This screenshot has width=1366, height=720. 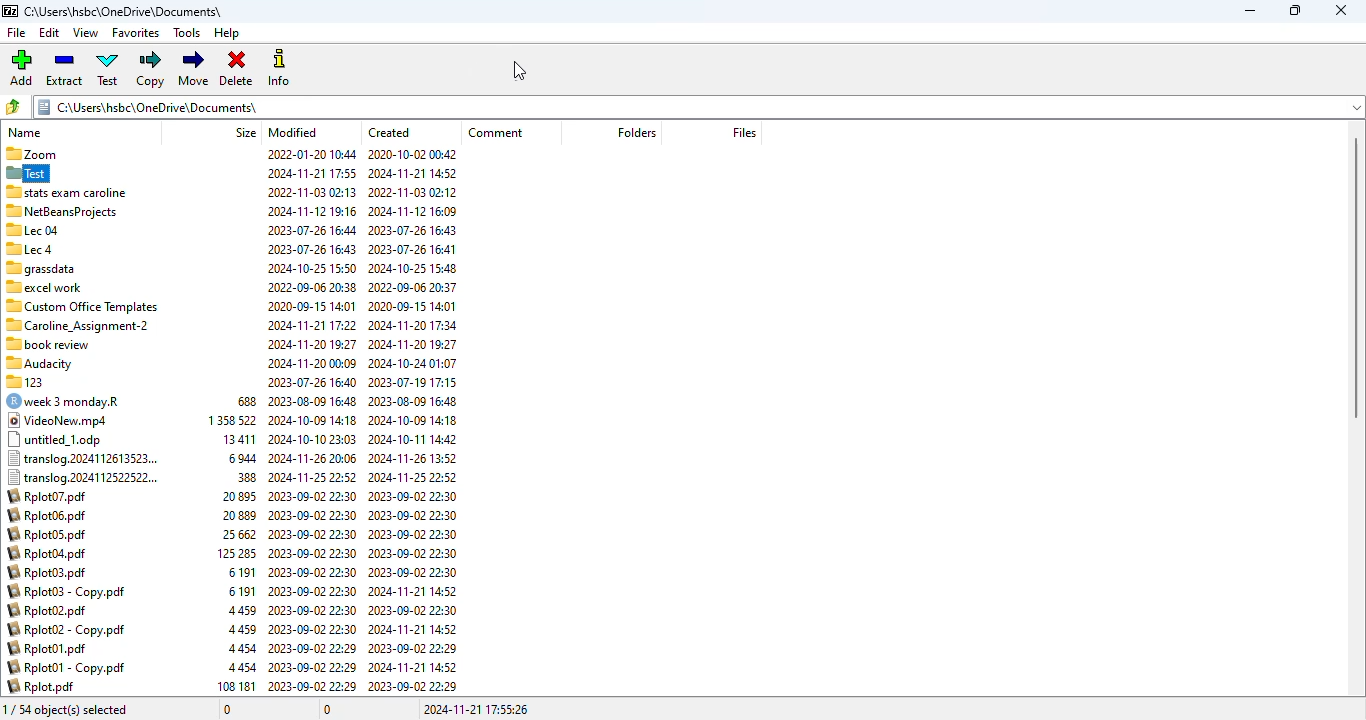 What do you see at coordinates (415, 535) in the screenshot?
I see `2023-09-02 22:30` at bounding box center [415, 535].